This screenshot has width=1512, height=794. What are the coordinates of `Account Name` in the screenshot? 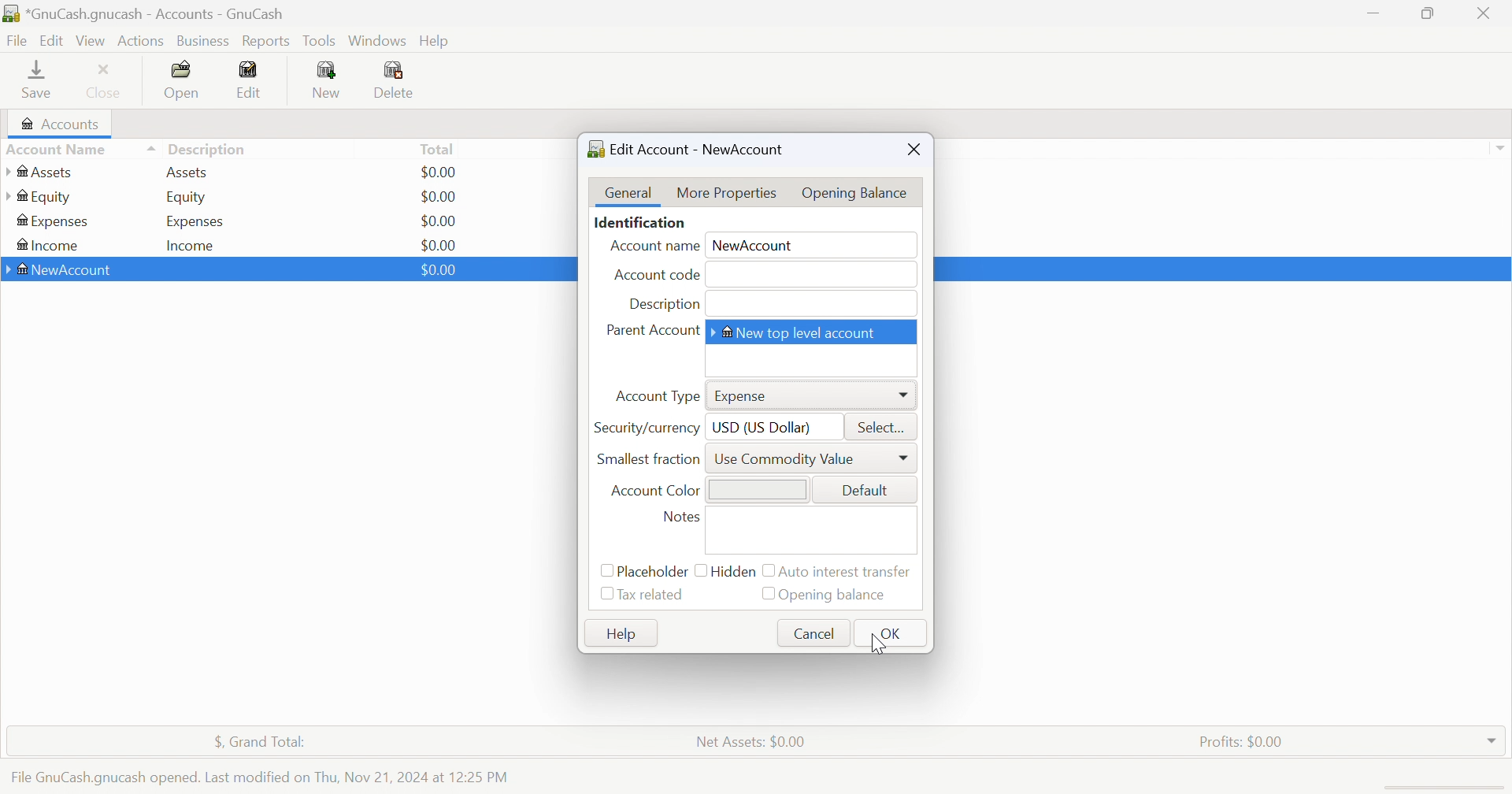 It's located at (654, 248).